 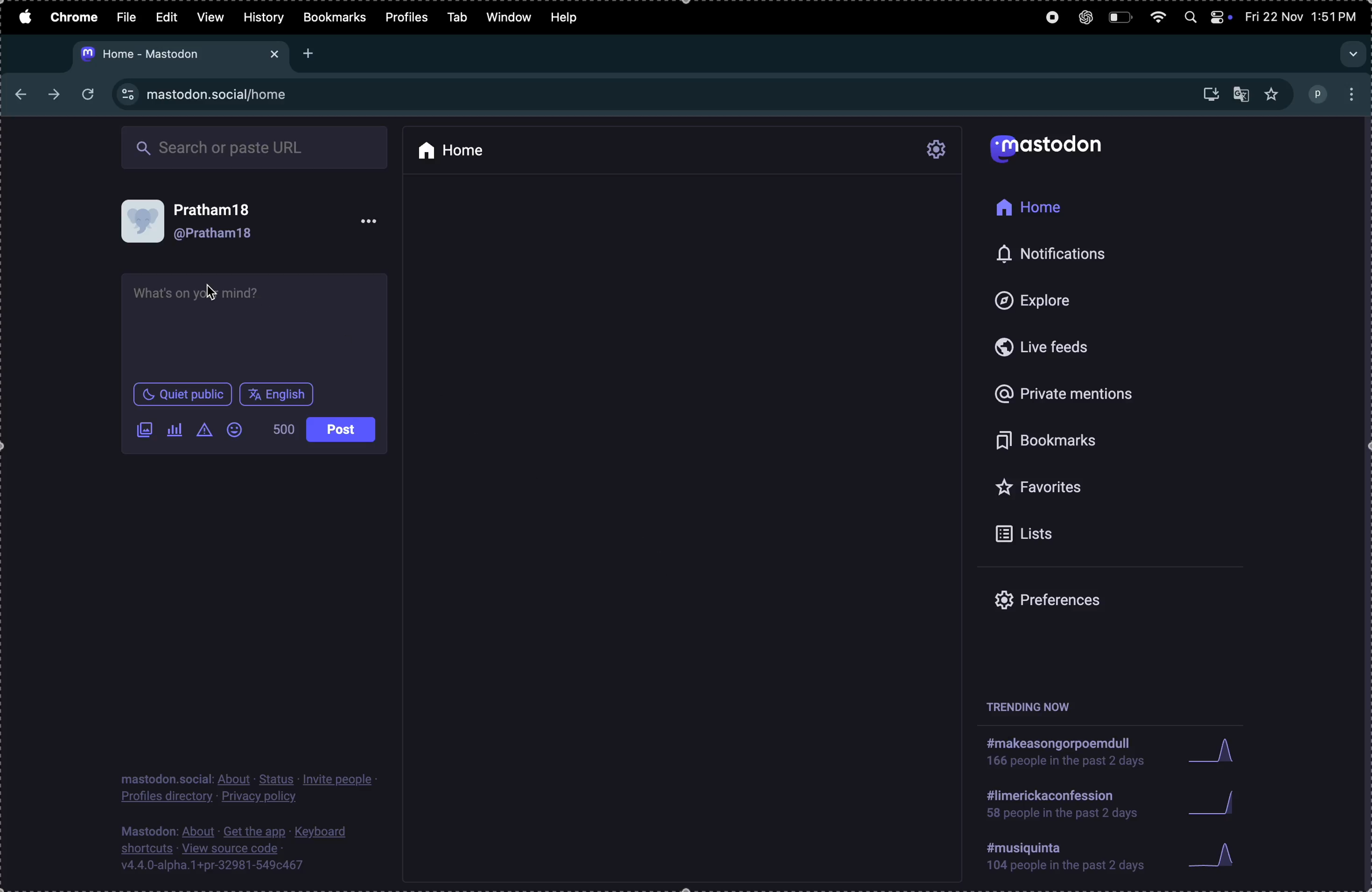 I want to click on profiles, so click(x=405, y=17).